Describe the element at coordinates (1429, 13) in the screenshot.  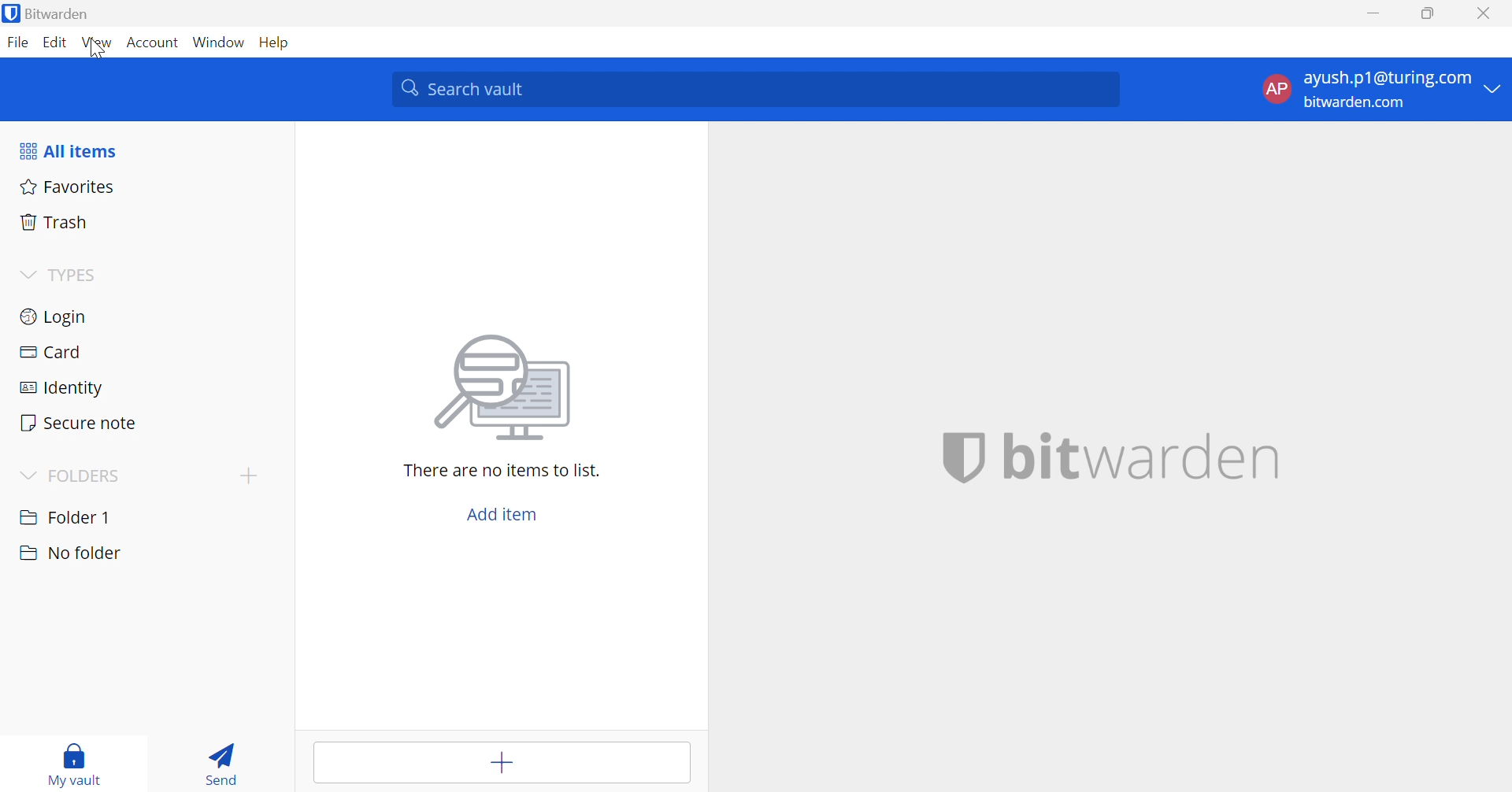
I see `Restore Down` at that location.